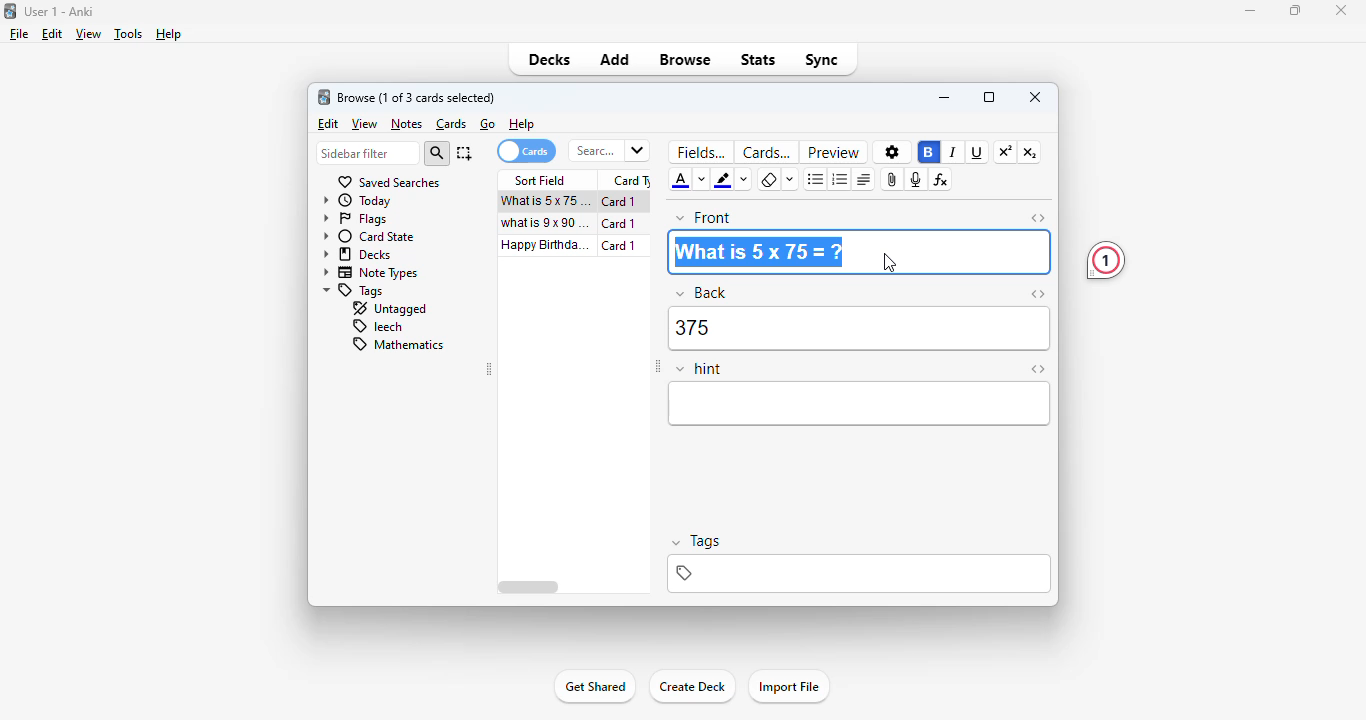 The image size is (1366, 720). What do you see at coordinates (594, 688) in the screenshot?
I see `get shared` at bounding box center [594, 688].